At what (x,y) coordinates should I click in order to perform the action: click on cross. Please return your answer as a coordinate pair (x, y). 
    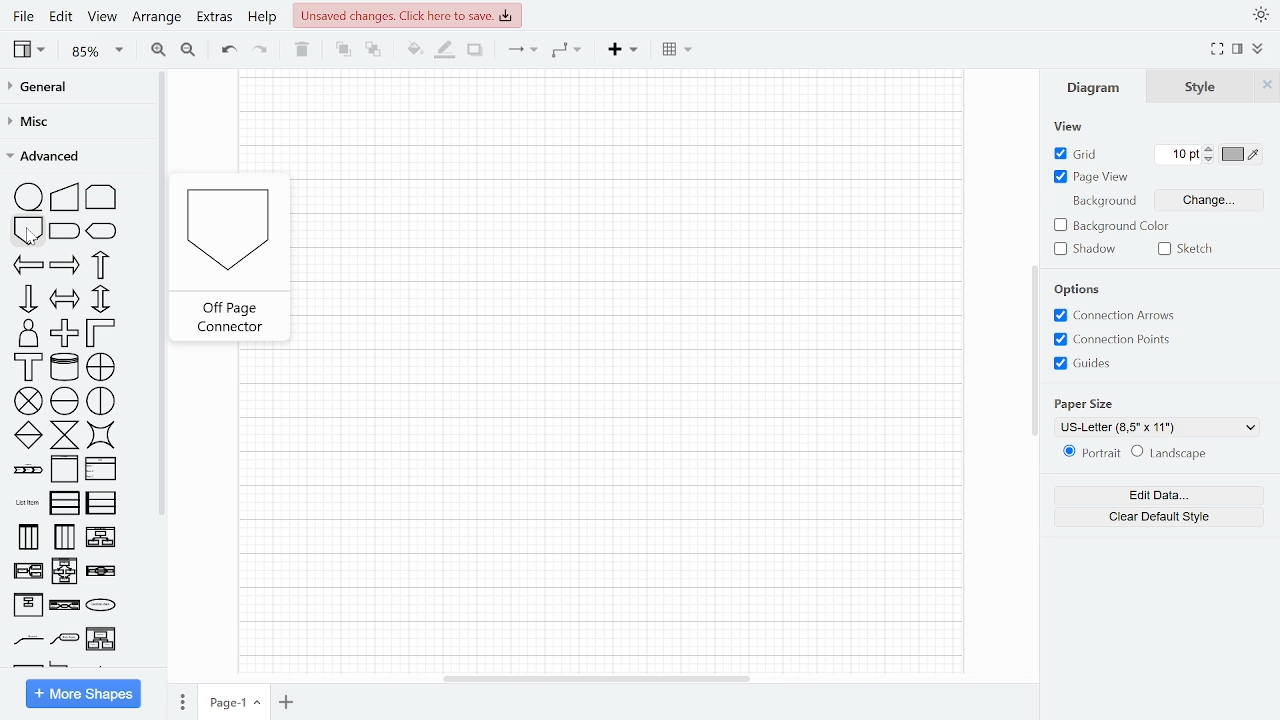
    Looking at the image, I should click on (64, 333).